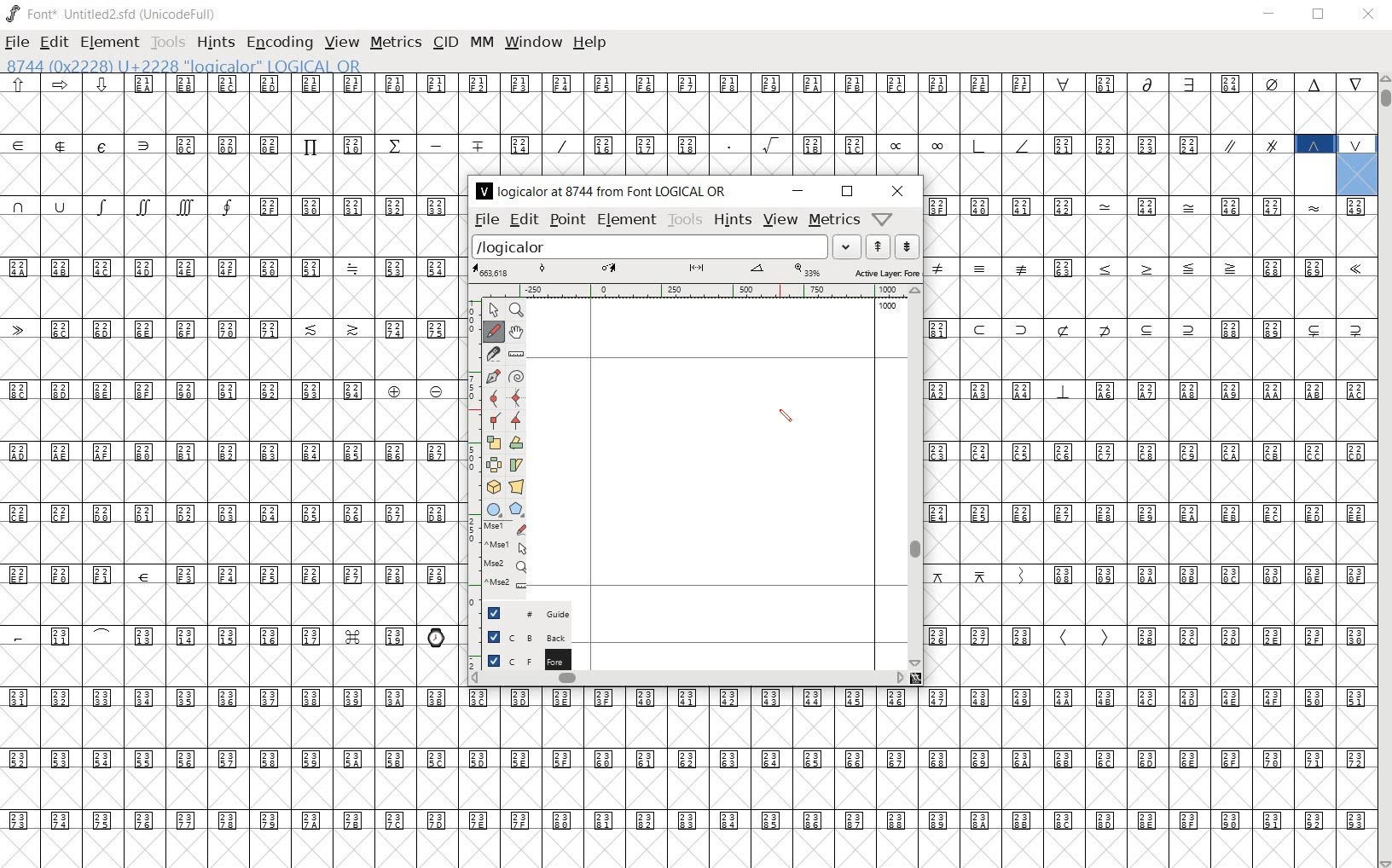  What do you see at coordinates (494, 443) in the screenshot?
I see `scale the selection` at bounding box center [494, 443].